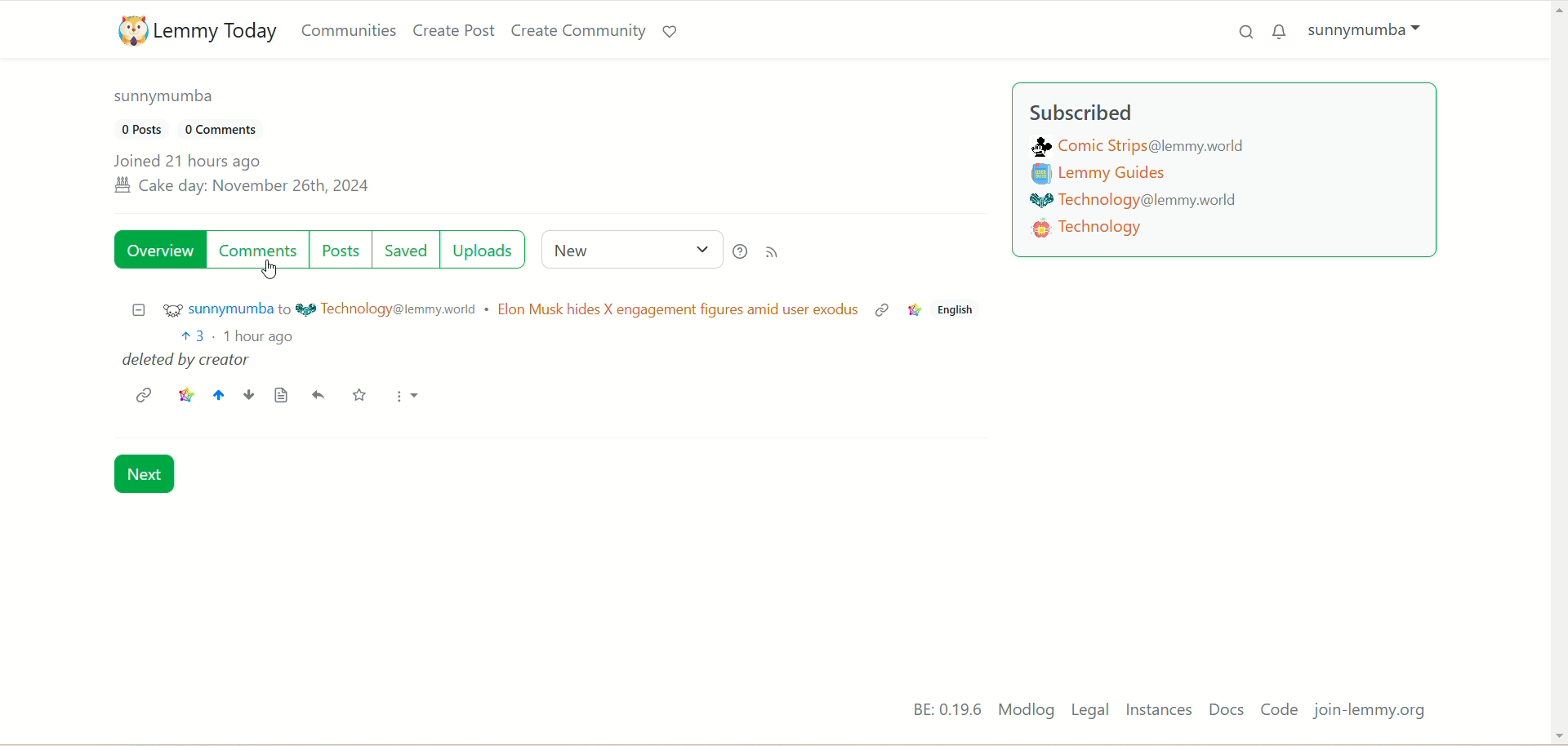 This screenshot has width=1568, height=746. I want to click on create community, so click(577, 30).